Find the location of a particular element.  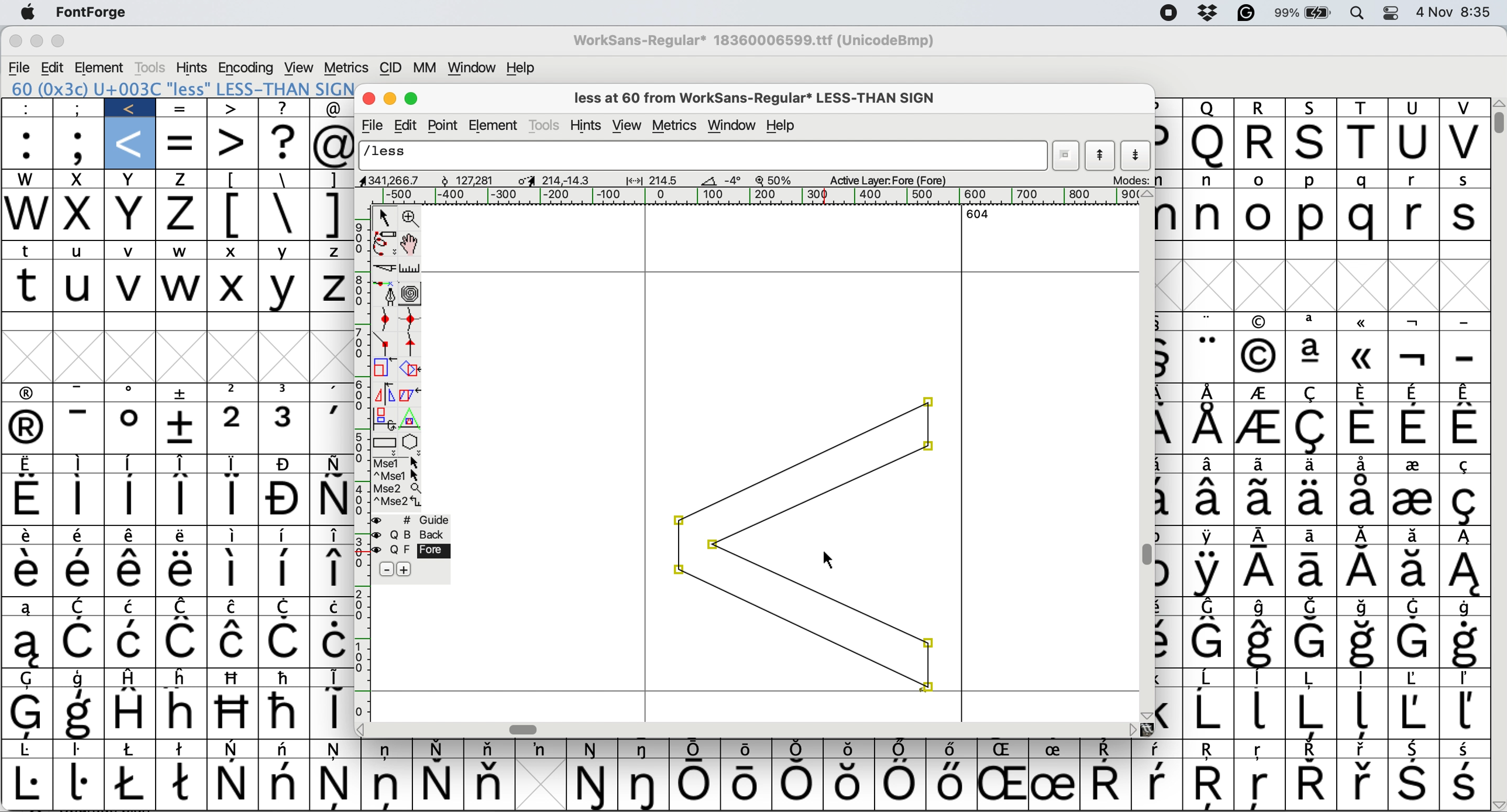

r is located at coordinates (1413, 214).